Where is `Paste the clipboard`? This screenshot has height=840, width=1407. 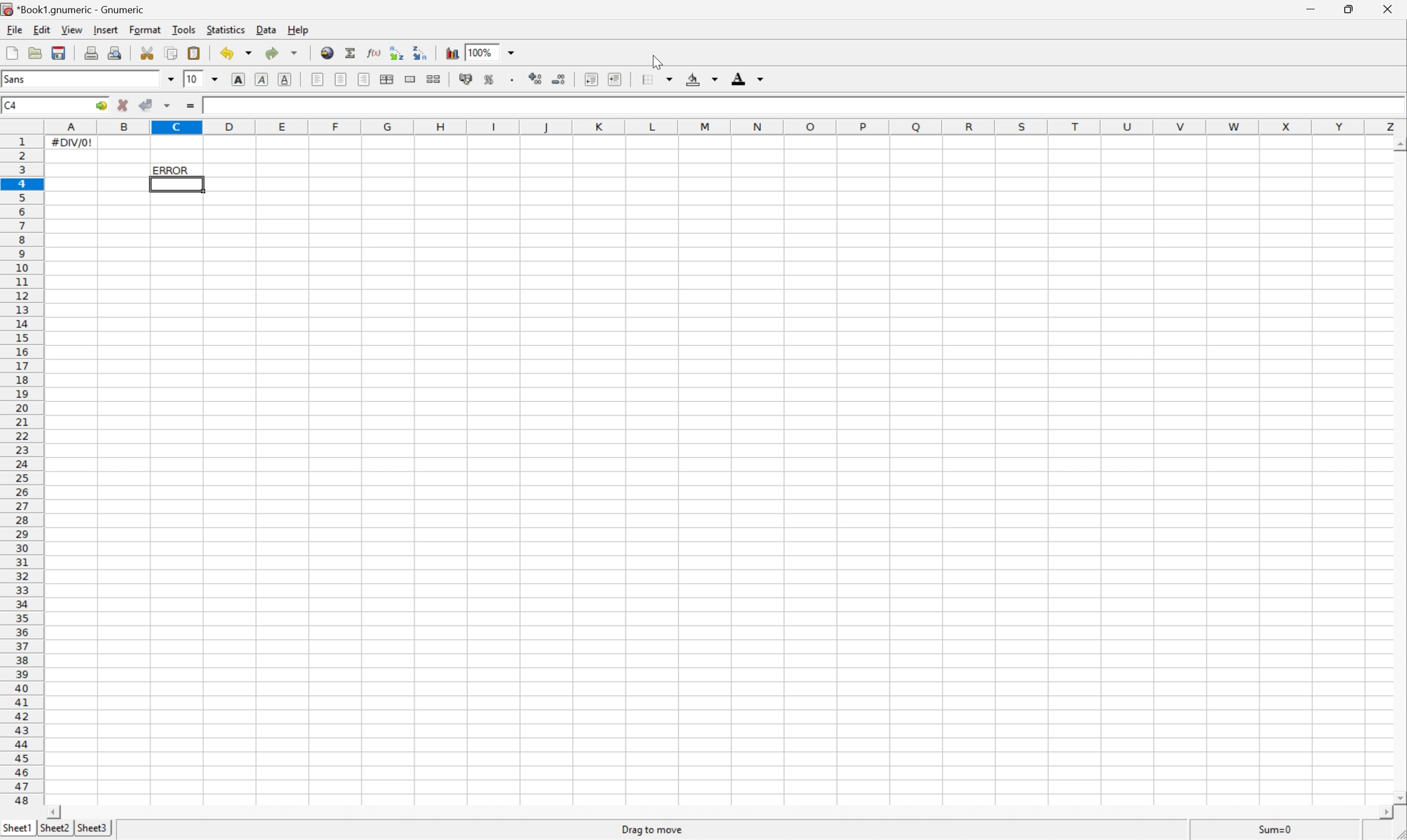
Paste the clipboard is located at coordinates (195, 53).